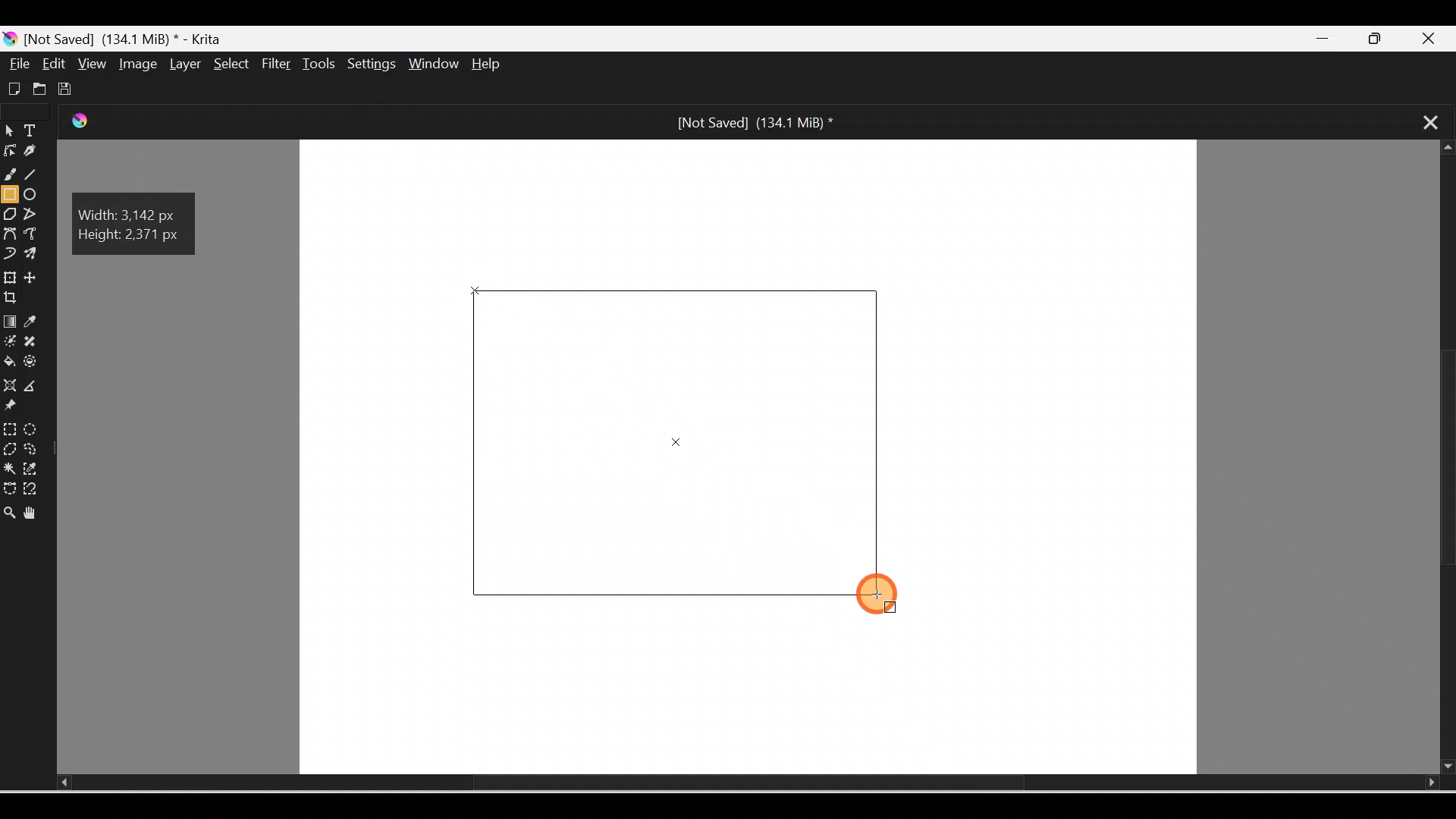 The image size is (1456, 819). What do you see at coordinates (9, 322) in the screenshot?
I see `Draw a gradient` at bounding box center [9, 322].